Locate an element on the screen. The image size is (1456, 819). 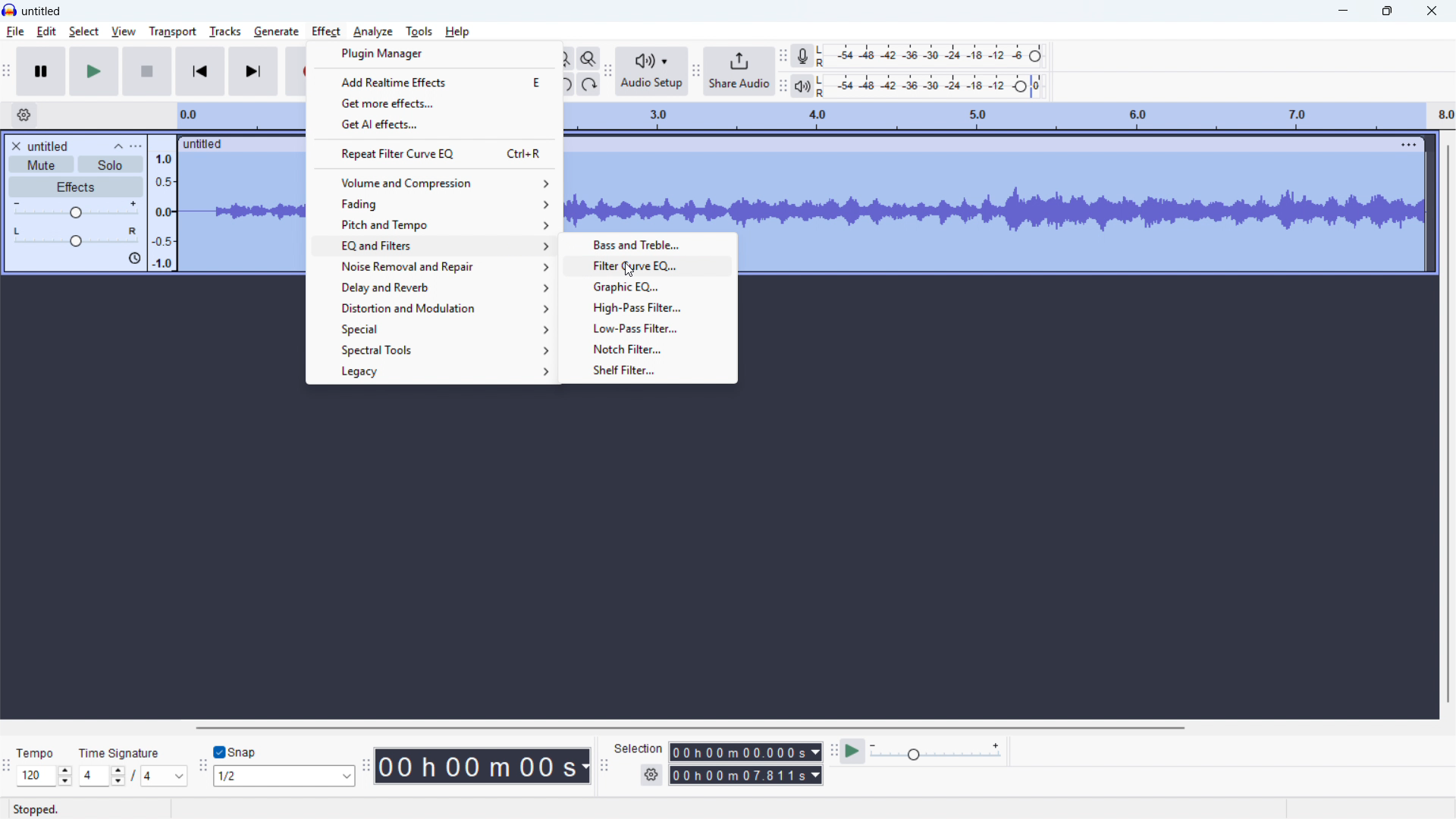
Repeat last filter is located at coordinates (435, 153).